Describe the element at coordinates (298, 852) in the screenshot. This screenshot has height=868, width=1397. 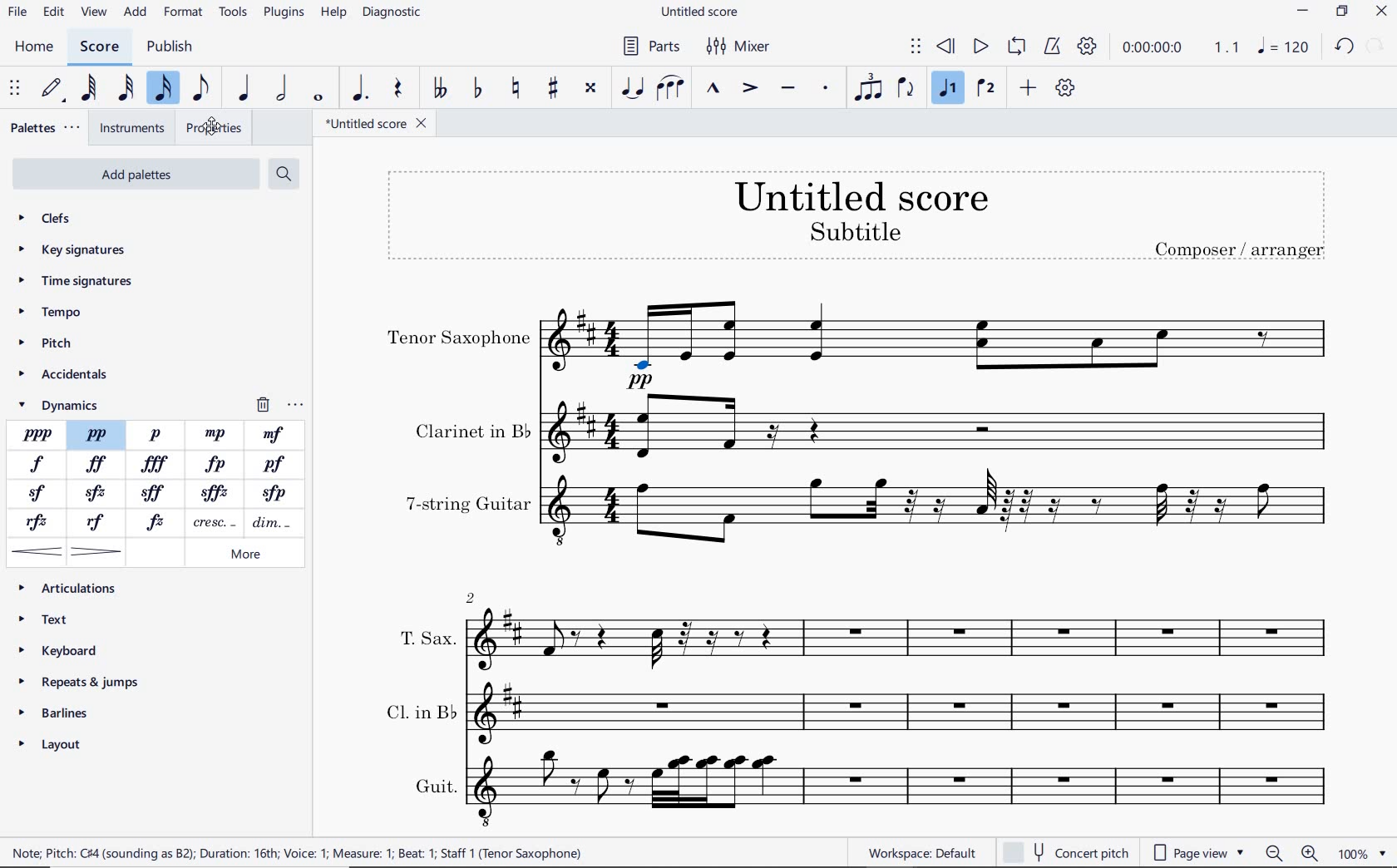
I see `note:pitch` at that location.